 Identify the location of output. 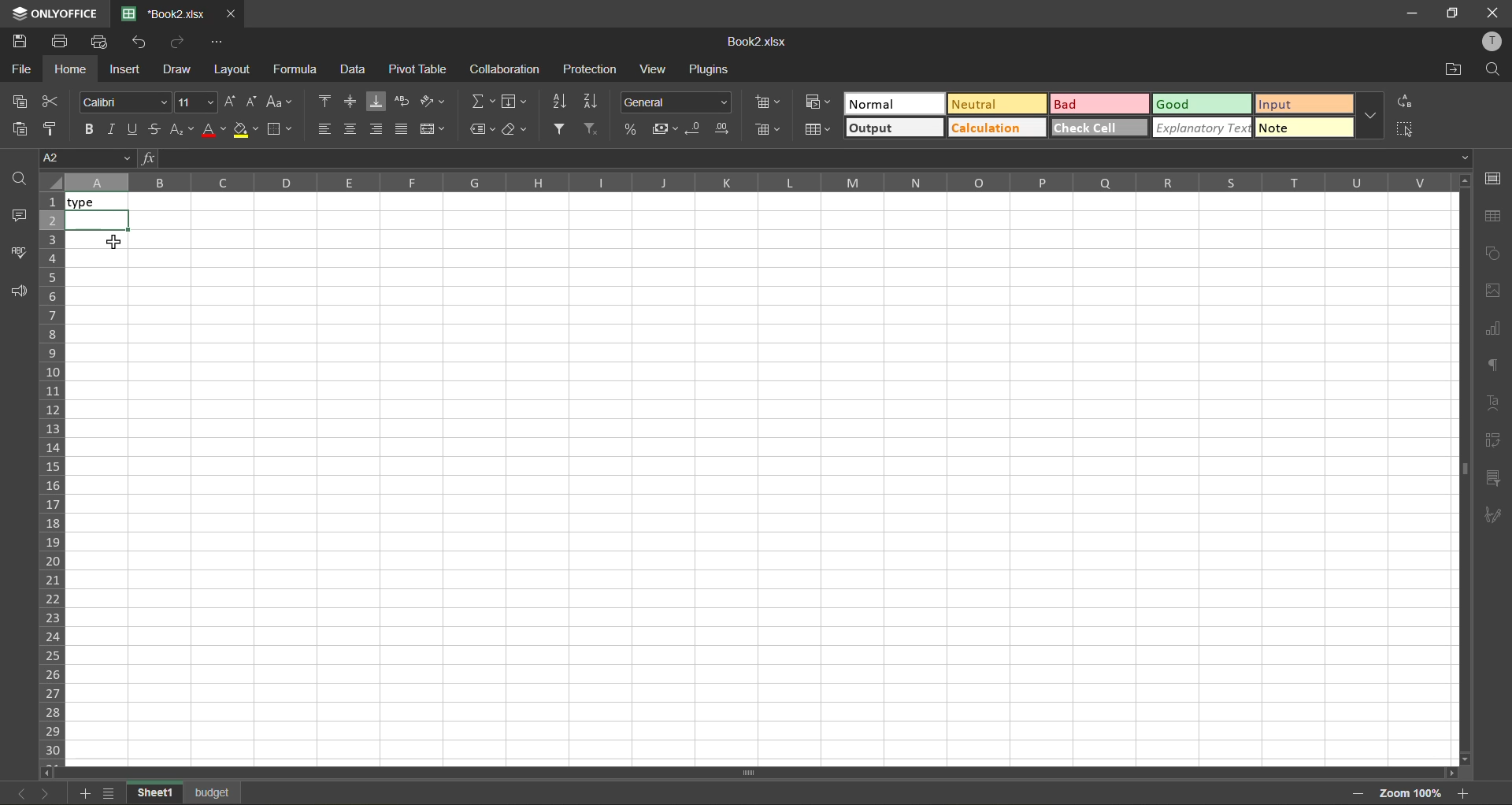
(894, 127).